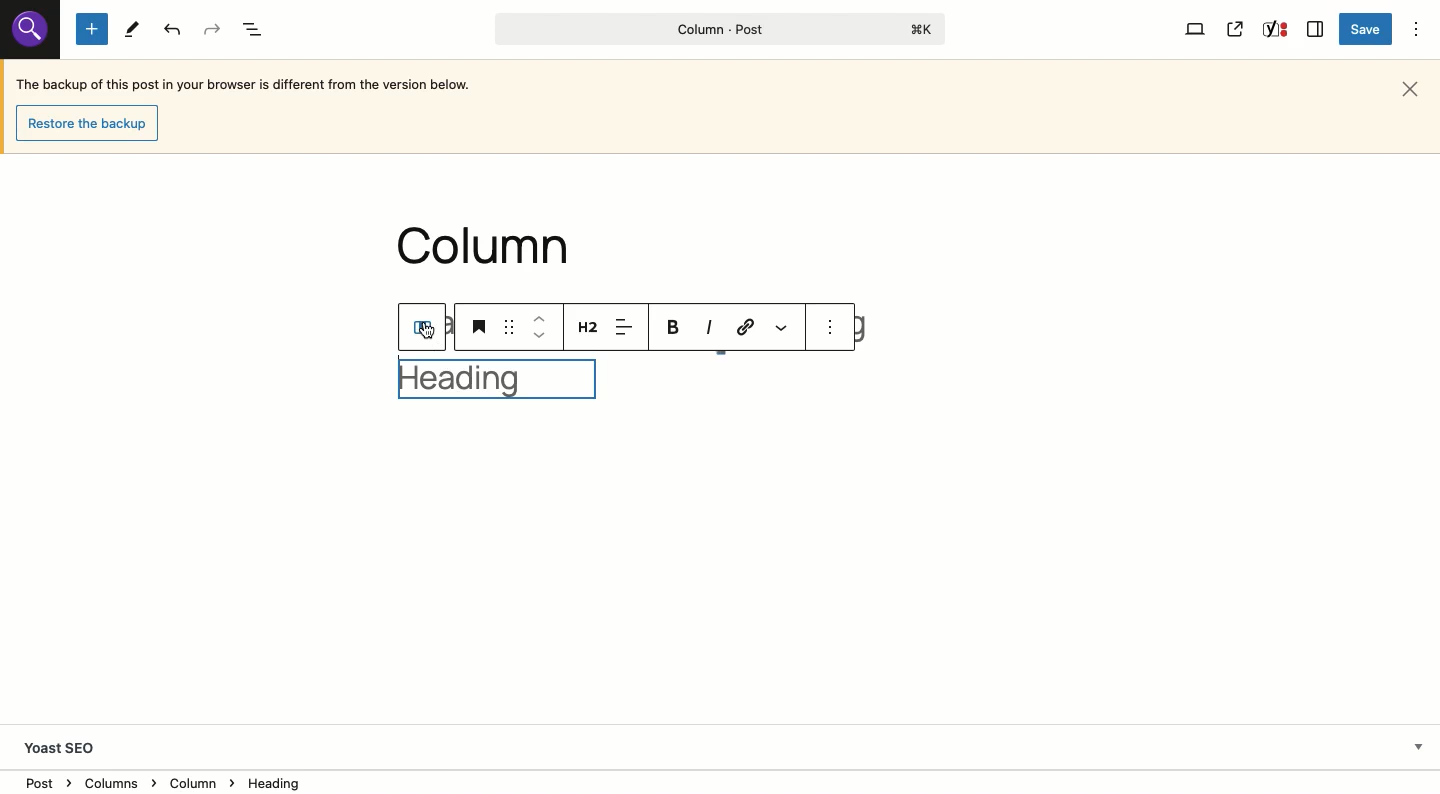 Image resolution: width=1440 pixels, height=794 pixels. What do you see at coordinates (588, 328) in the screenshot?
I see `Heading 2` at bounding box center [588, 328].